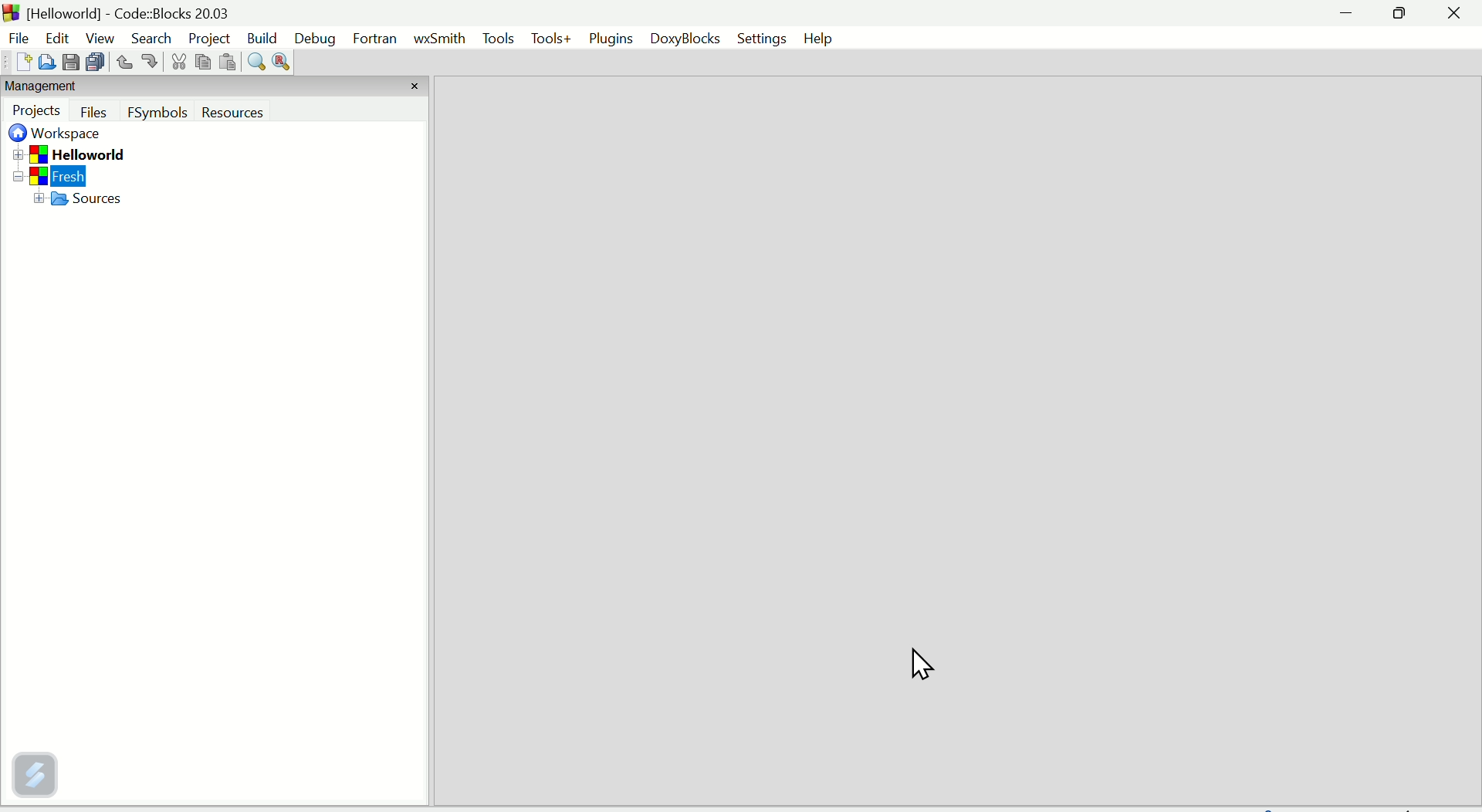 The width and height of the screenshot is (1482, 812). What do you see at coordinates (38, 111) in the screenshot?
I see `Projects` at bounding box center [38, 111].